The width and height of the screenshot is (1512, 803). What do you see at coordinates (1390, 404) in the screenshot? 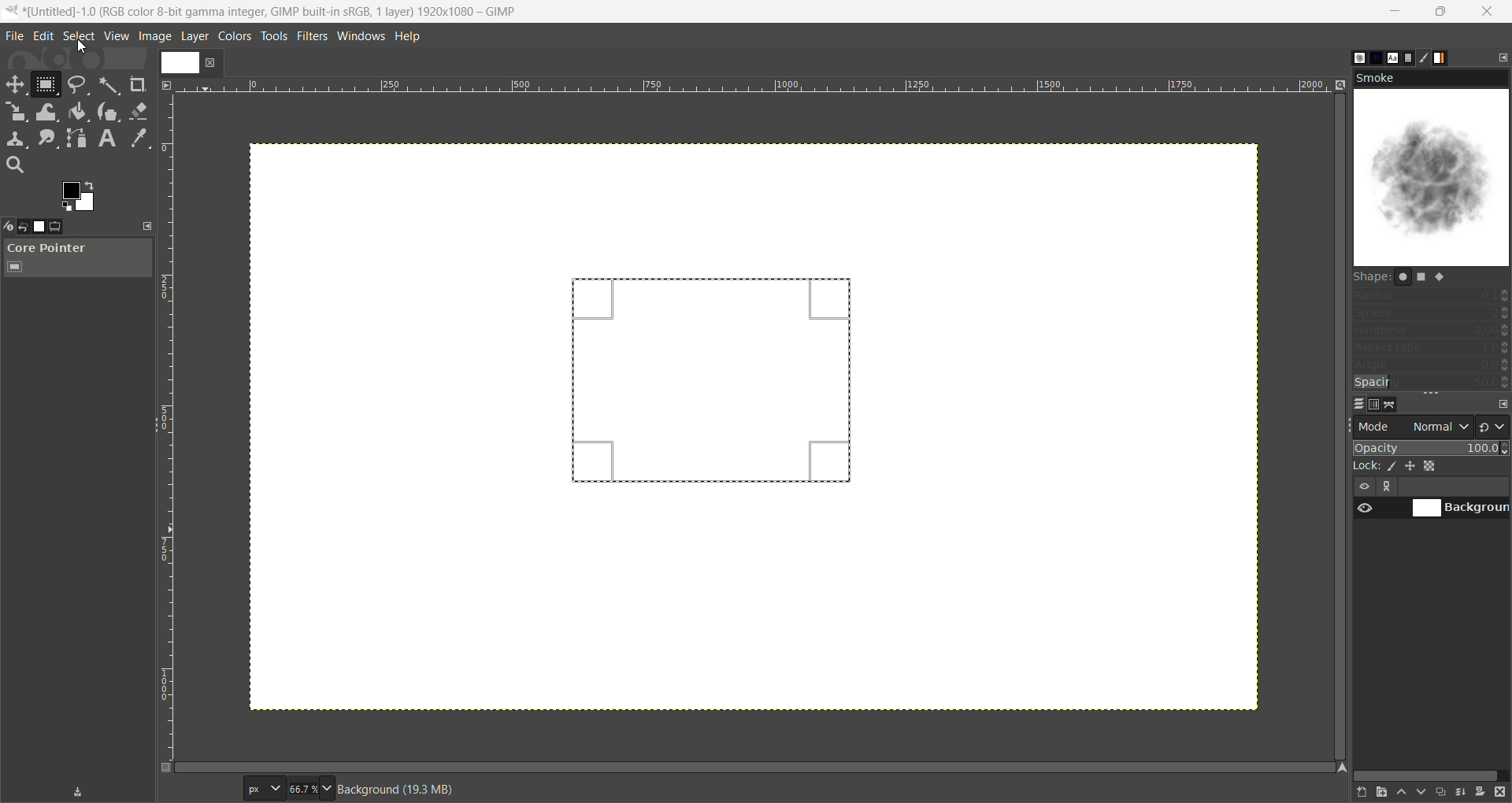
I see `path` at bounding box center [1390, 404].